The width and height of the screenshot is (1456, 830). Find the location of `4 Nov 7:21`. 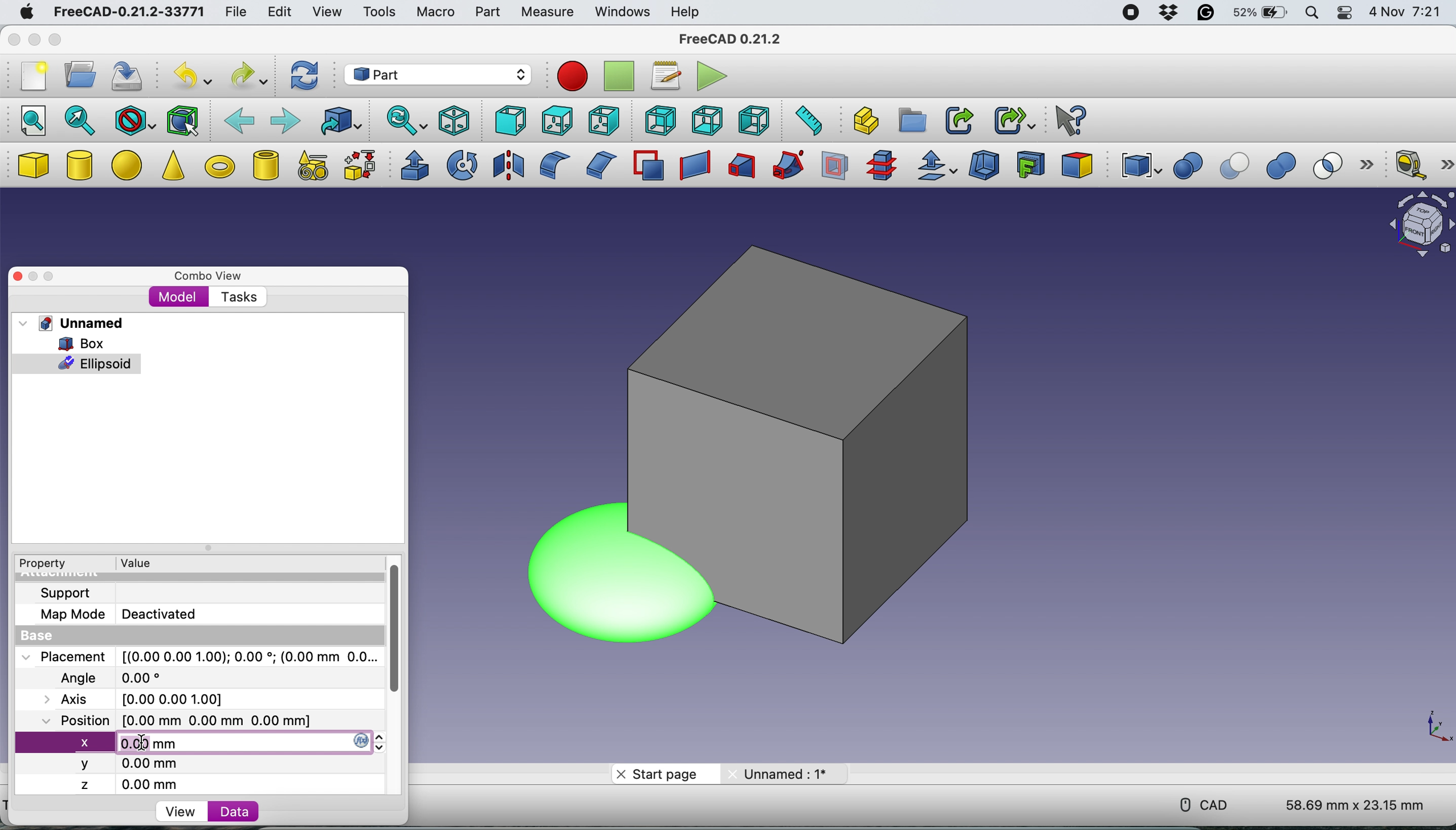

4 Nov 7:21 is located at coordinates (1407, 14).